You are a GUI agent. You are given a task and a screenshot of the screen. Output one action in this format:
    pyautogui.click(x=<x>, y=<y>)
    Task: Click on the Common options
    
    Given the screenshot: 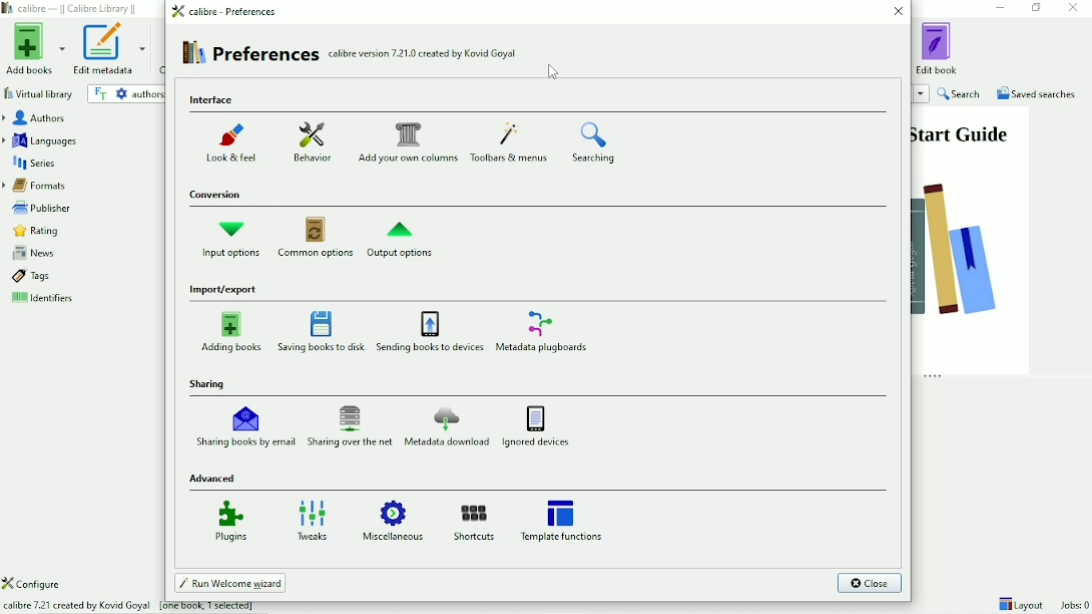 What is the action you would take?
    pyautogui.click(x=316, y=240)
    